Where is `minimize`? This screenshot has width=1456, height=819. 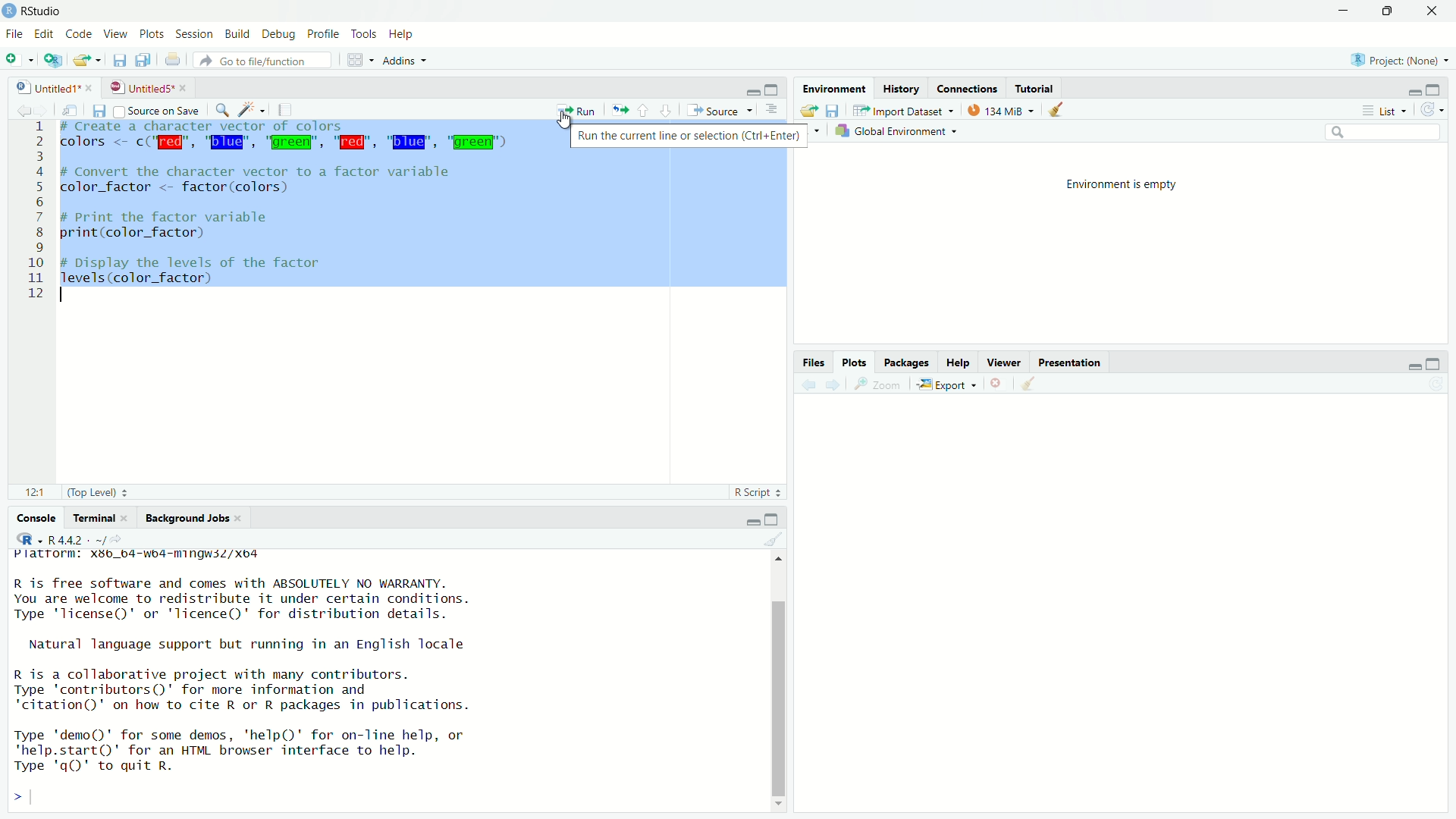
minimize is located at coordinates (749, 89).